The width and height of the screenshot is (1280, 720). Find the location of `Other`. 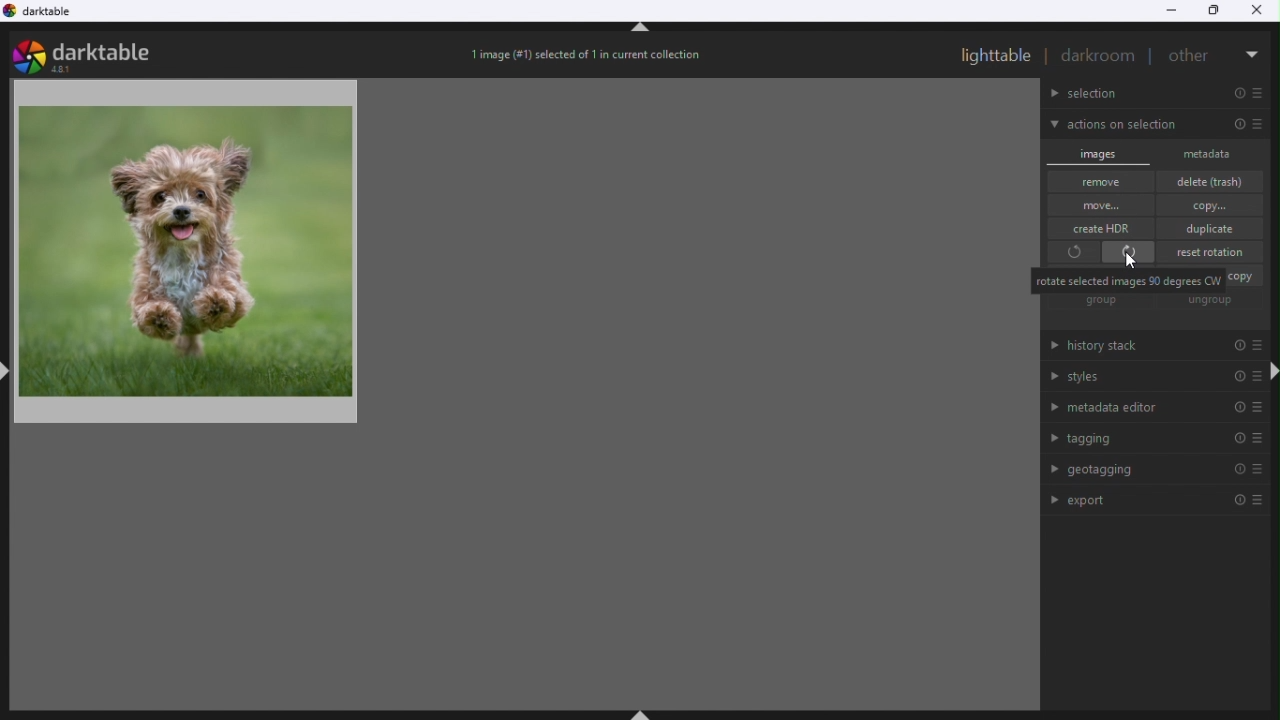

Other is located at coordinates (1192, 53).